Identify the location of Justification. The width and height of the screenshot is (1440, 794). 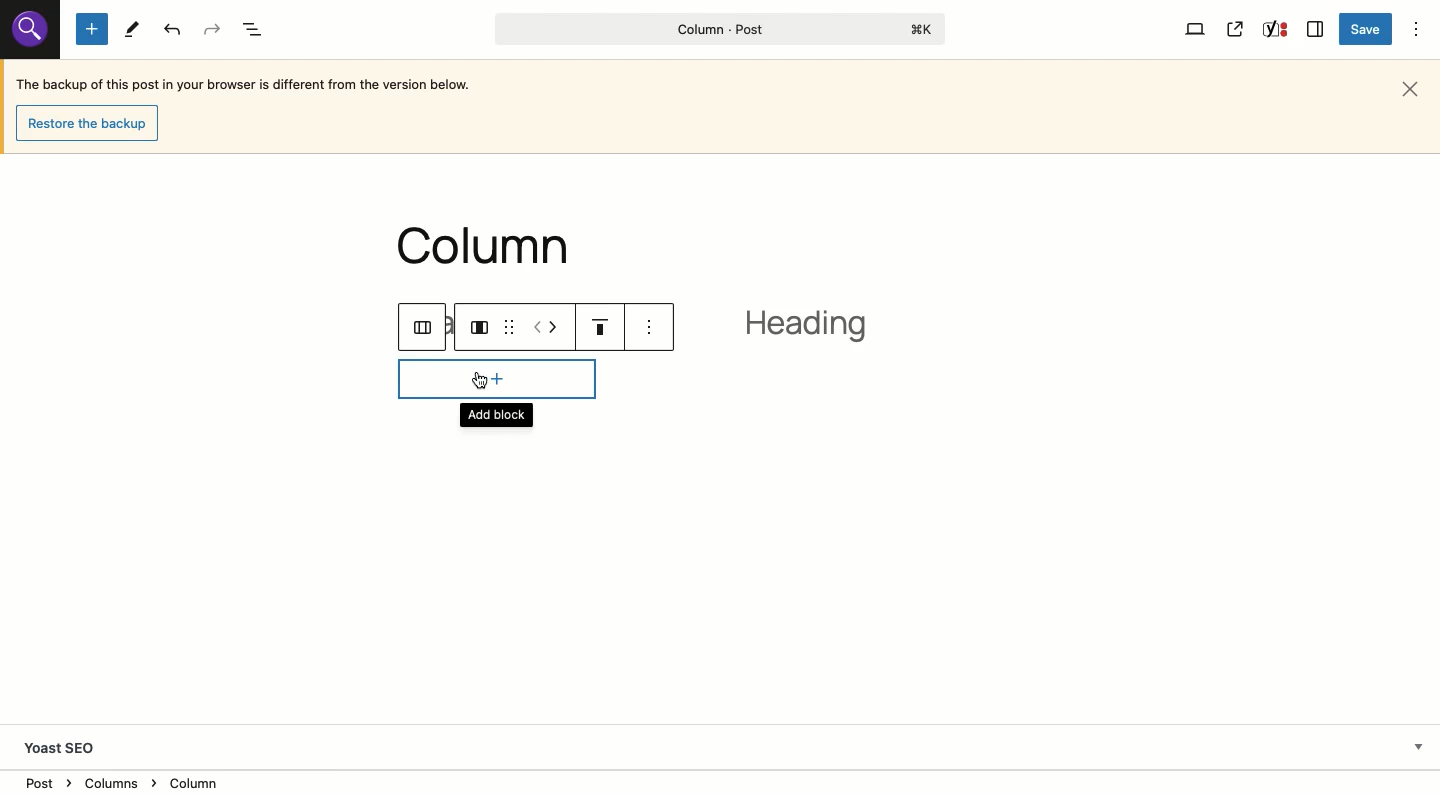
(600, 325).